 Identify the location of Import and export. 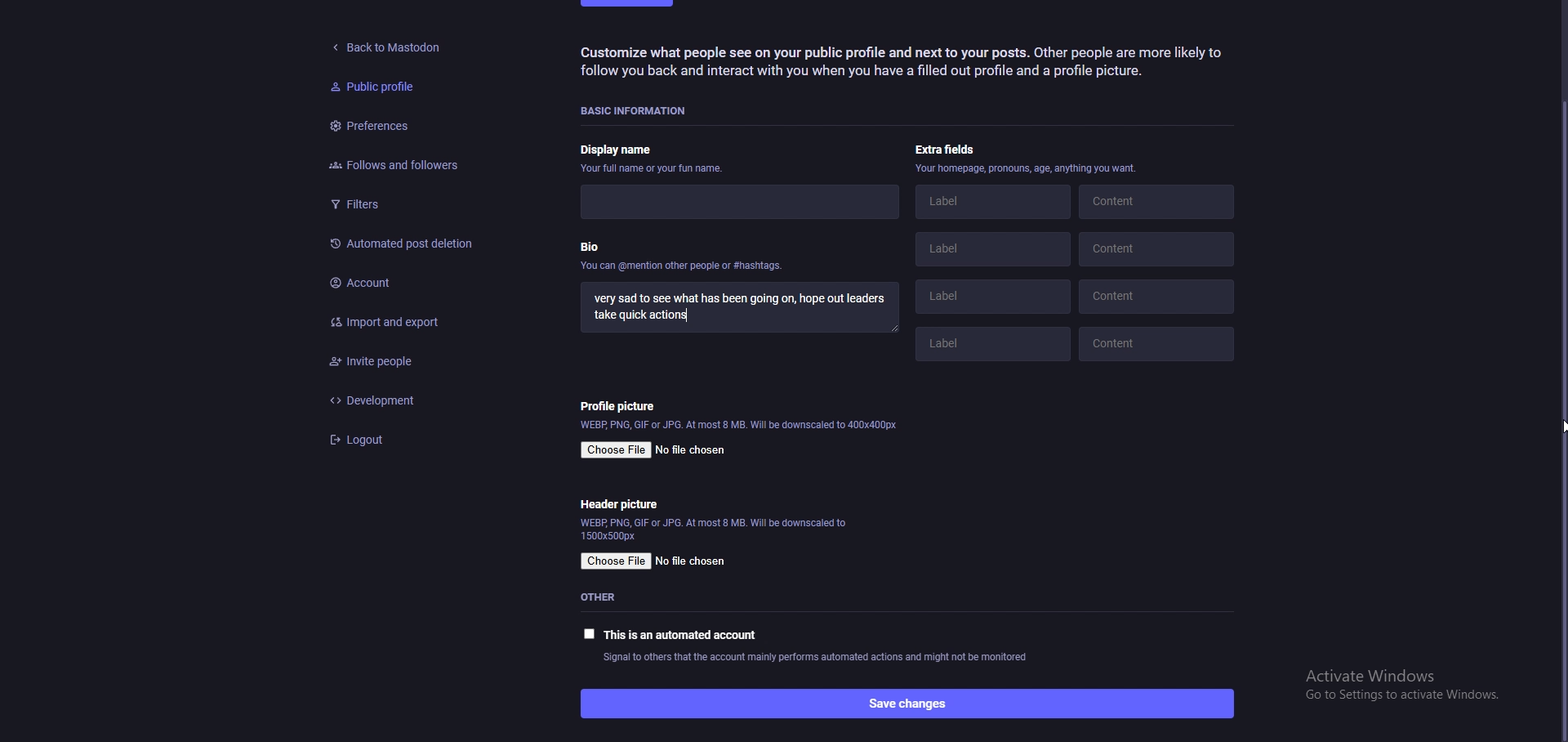
(404, 318).